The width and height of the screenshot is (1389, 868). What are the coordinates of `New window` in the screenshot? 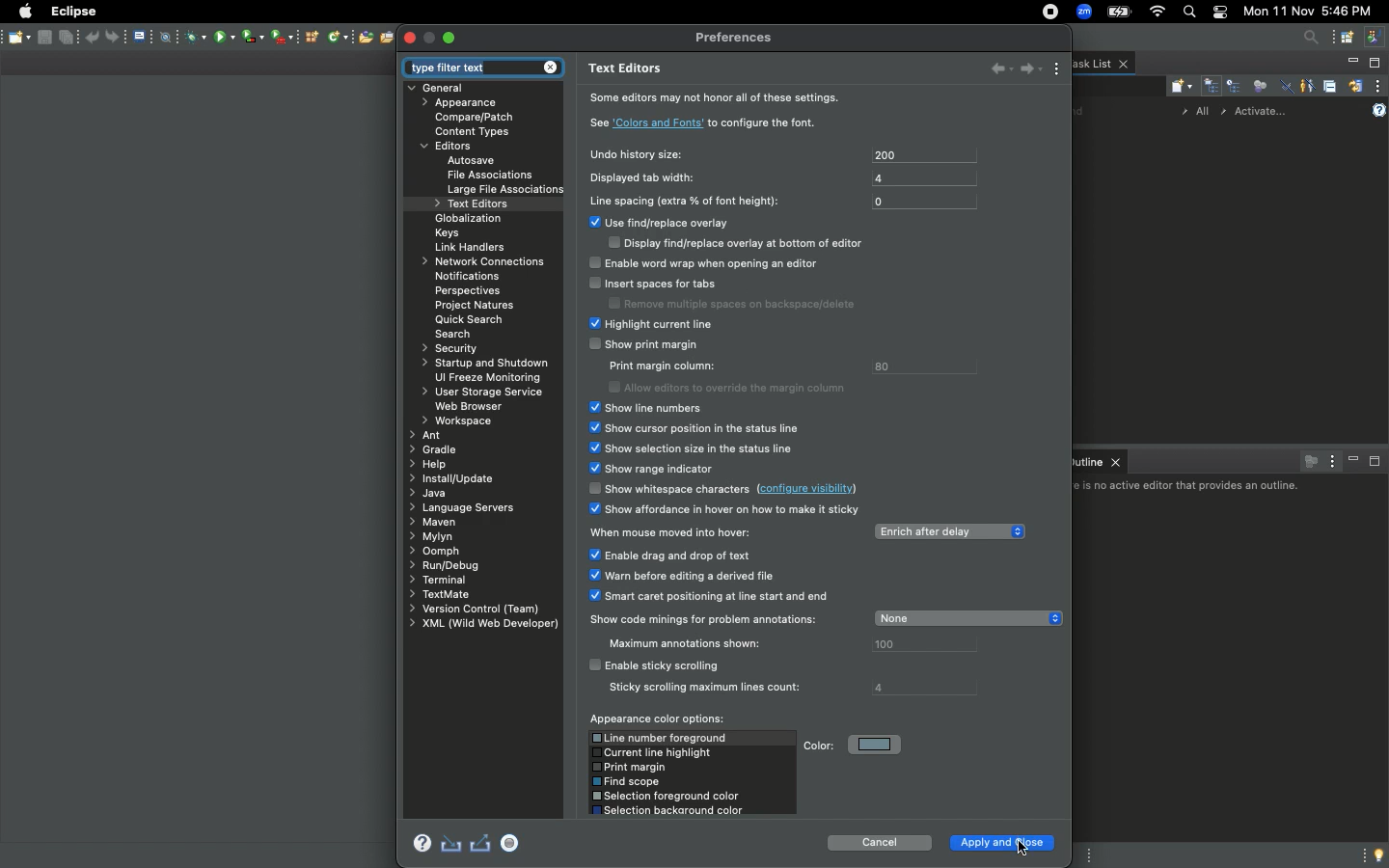 It's located at (1362, 37).